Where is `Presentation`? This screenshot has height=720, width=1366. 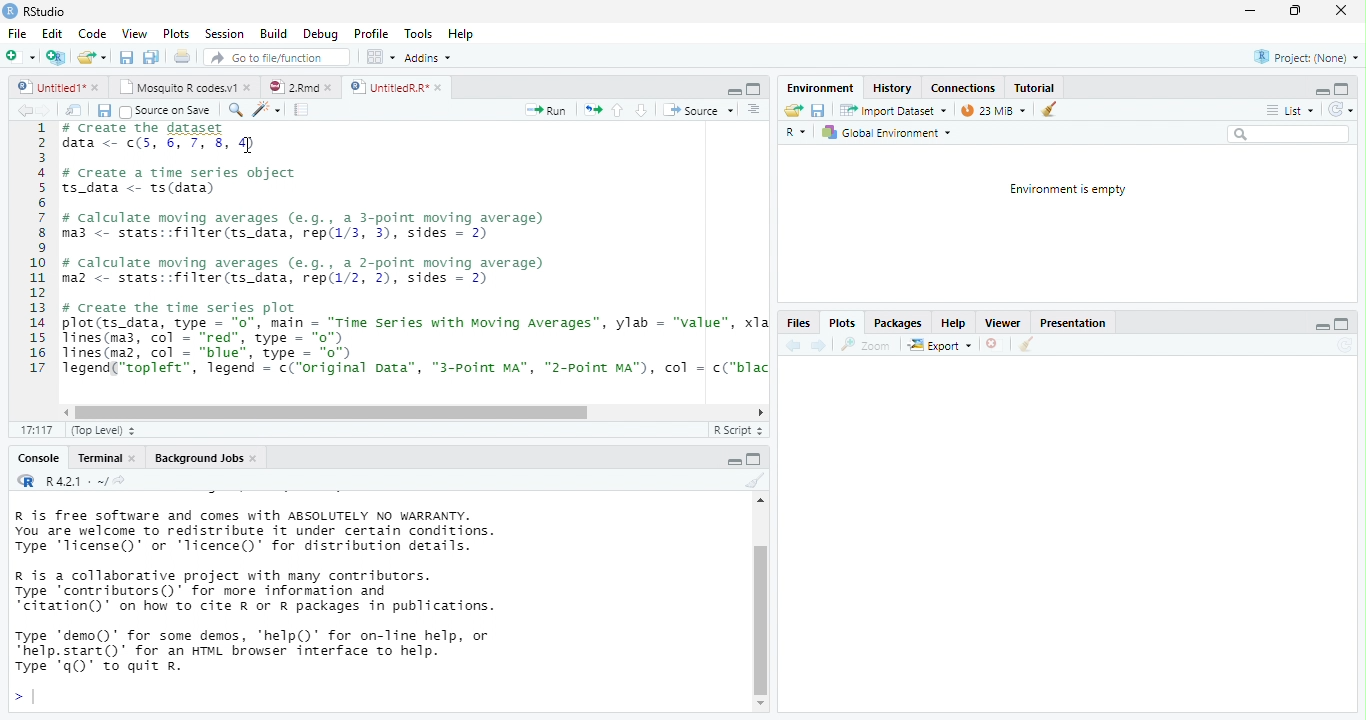 Presentation is located at coordinates (1071, 325).